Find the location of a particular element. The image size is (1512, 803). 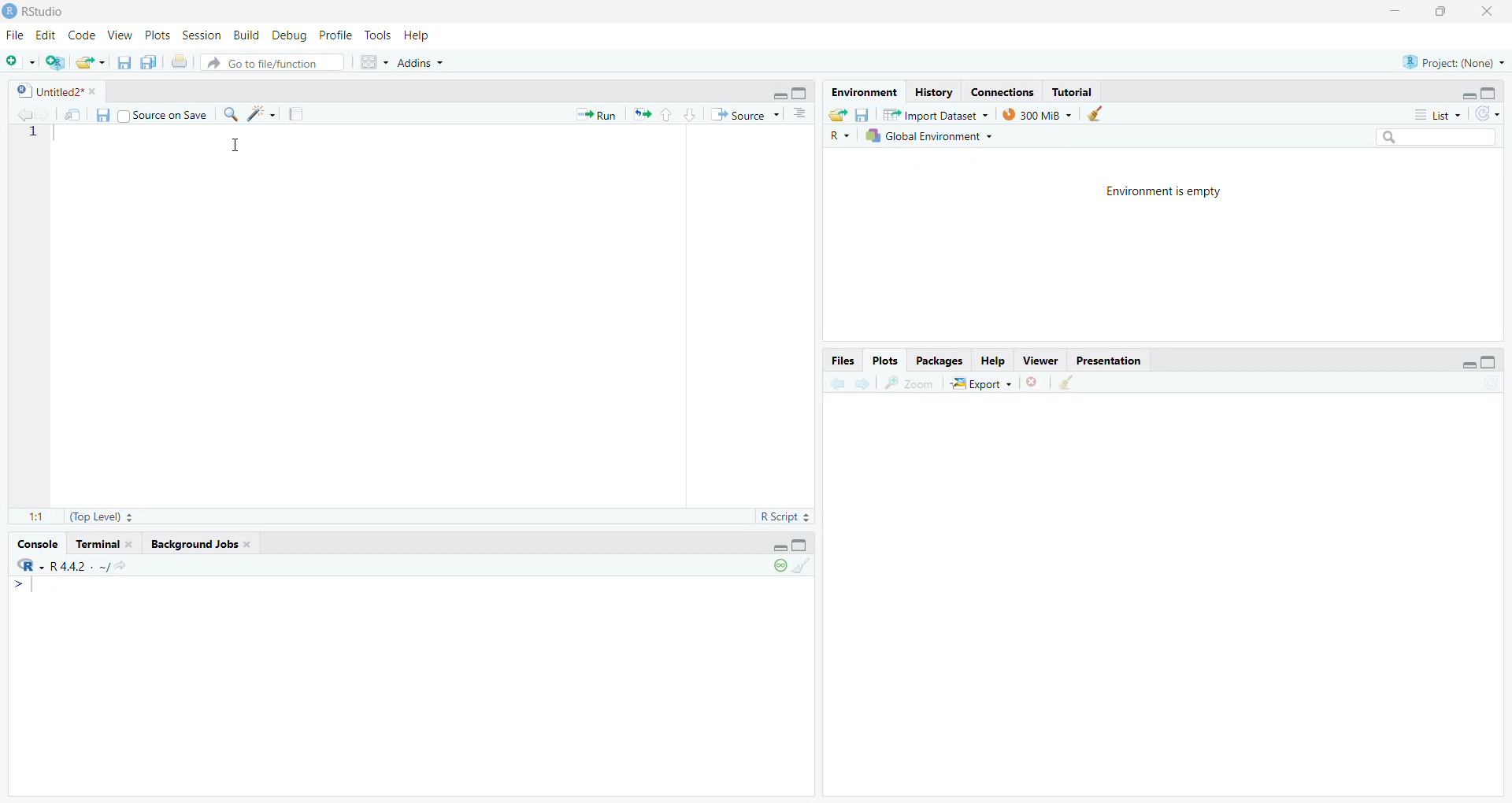

Eades is located at coordinates (1003, 89).